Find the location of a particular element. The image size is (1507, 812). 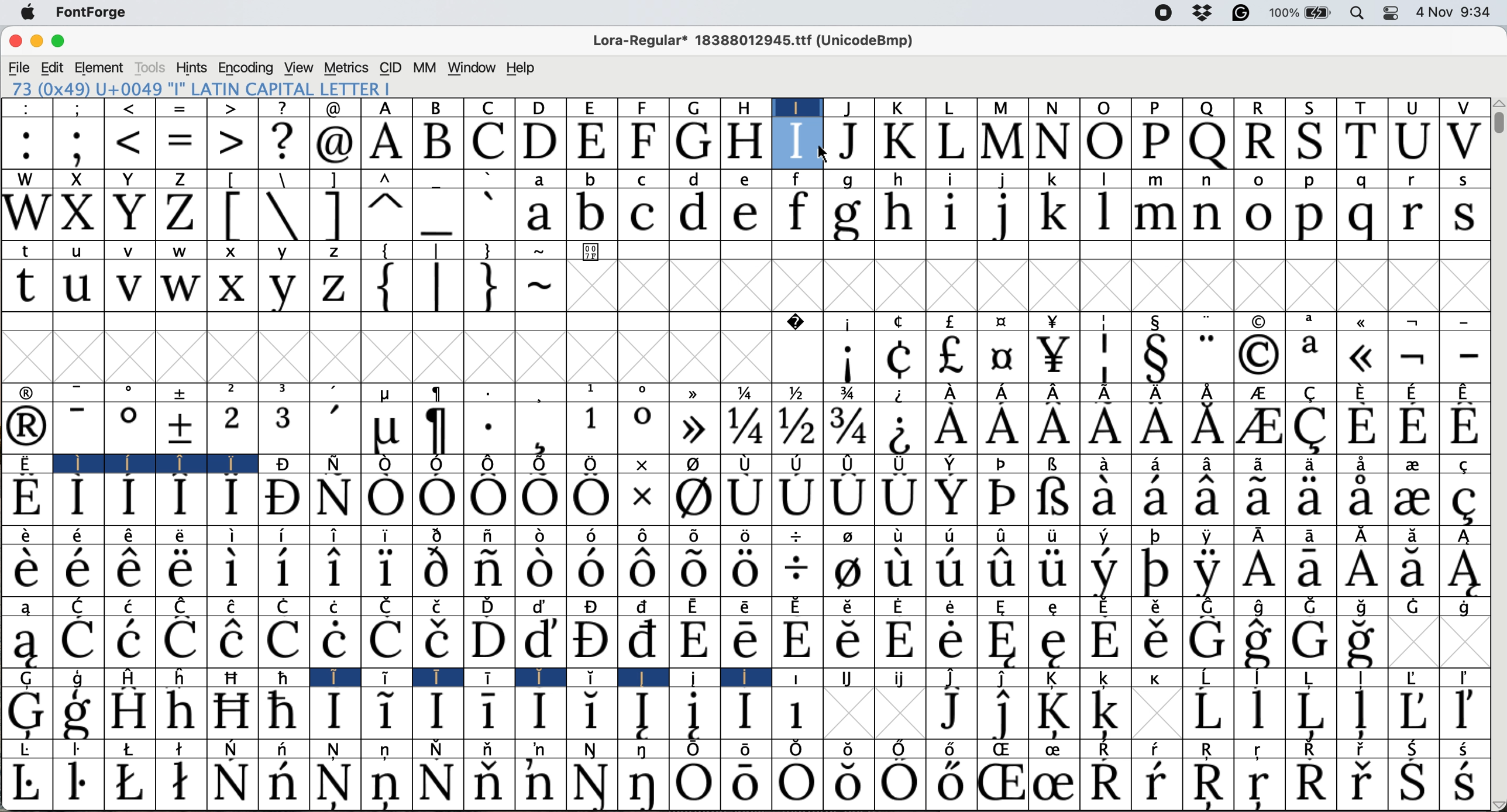

hints is located at coordinates (193, 68).